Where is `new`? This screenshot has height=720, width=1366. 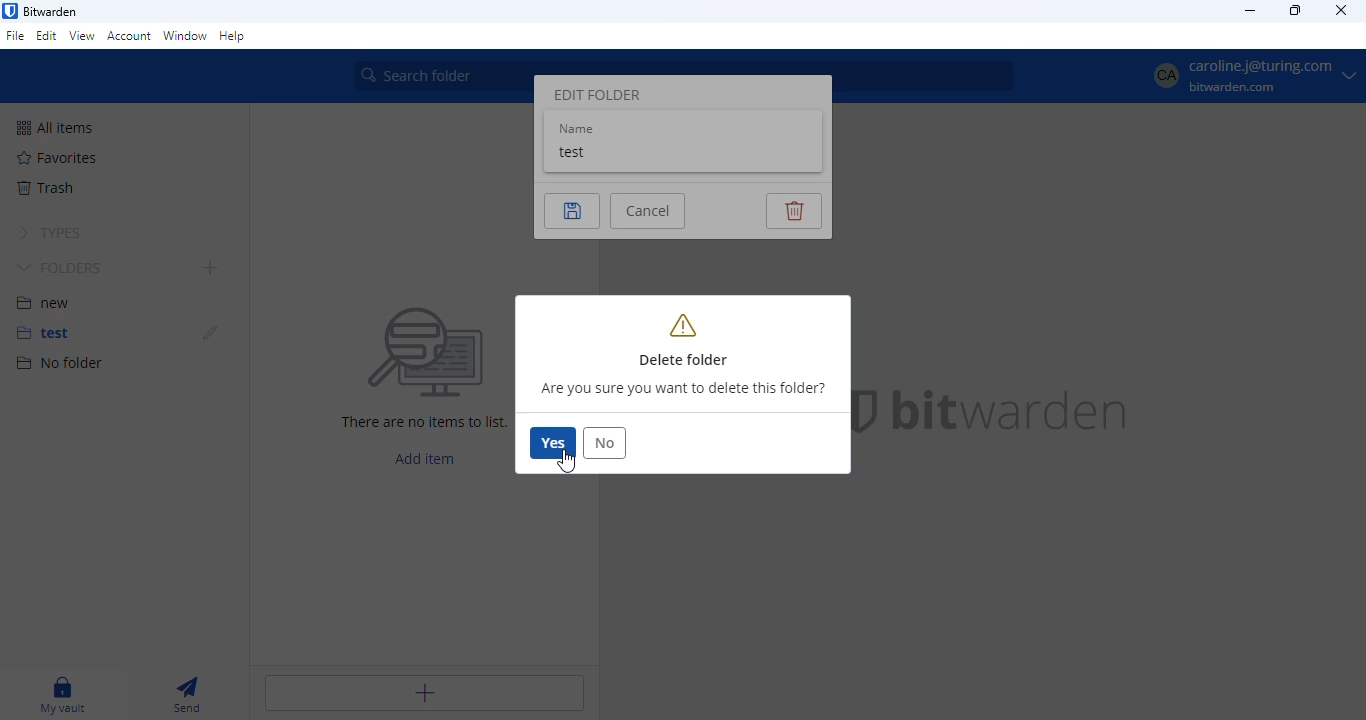
new is located at coordinates (43, 302).